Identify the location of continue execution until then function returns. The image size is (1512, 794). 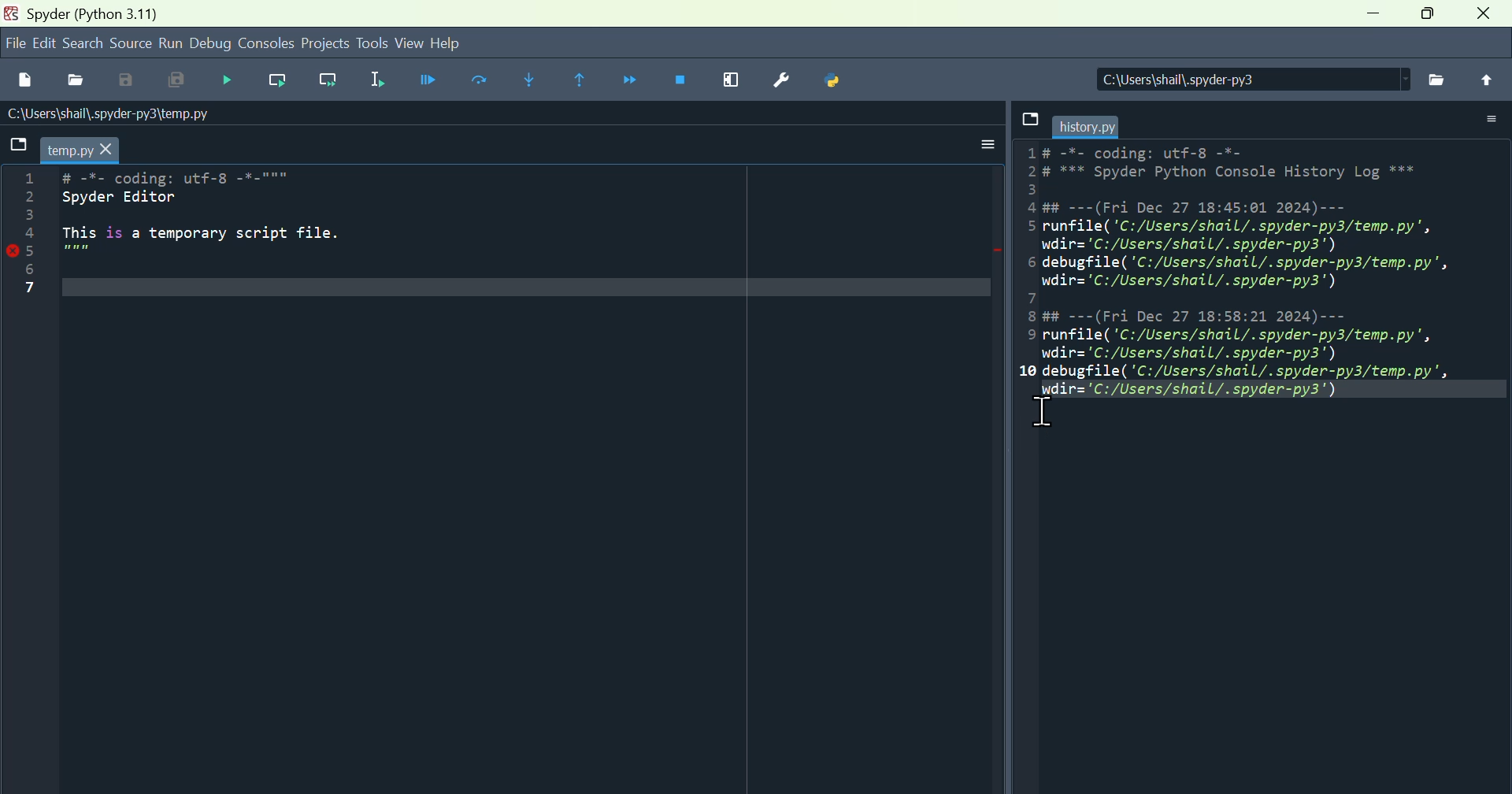
(586, 80).